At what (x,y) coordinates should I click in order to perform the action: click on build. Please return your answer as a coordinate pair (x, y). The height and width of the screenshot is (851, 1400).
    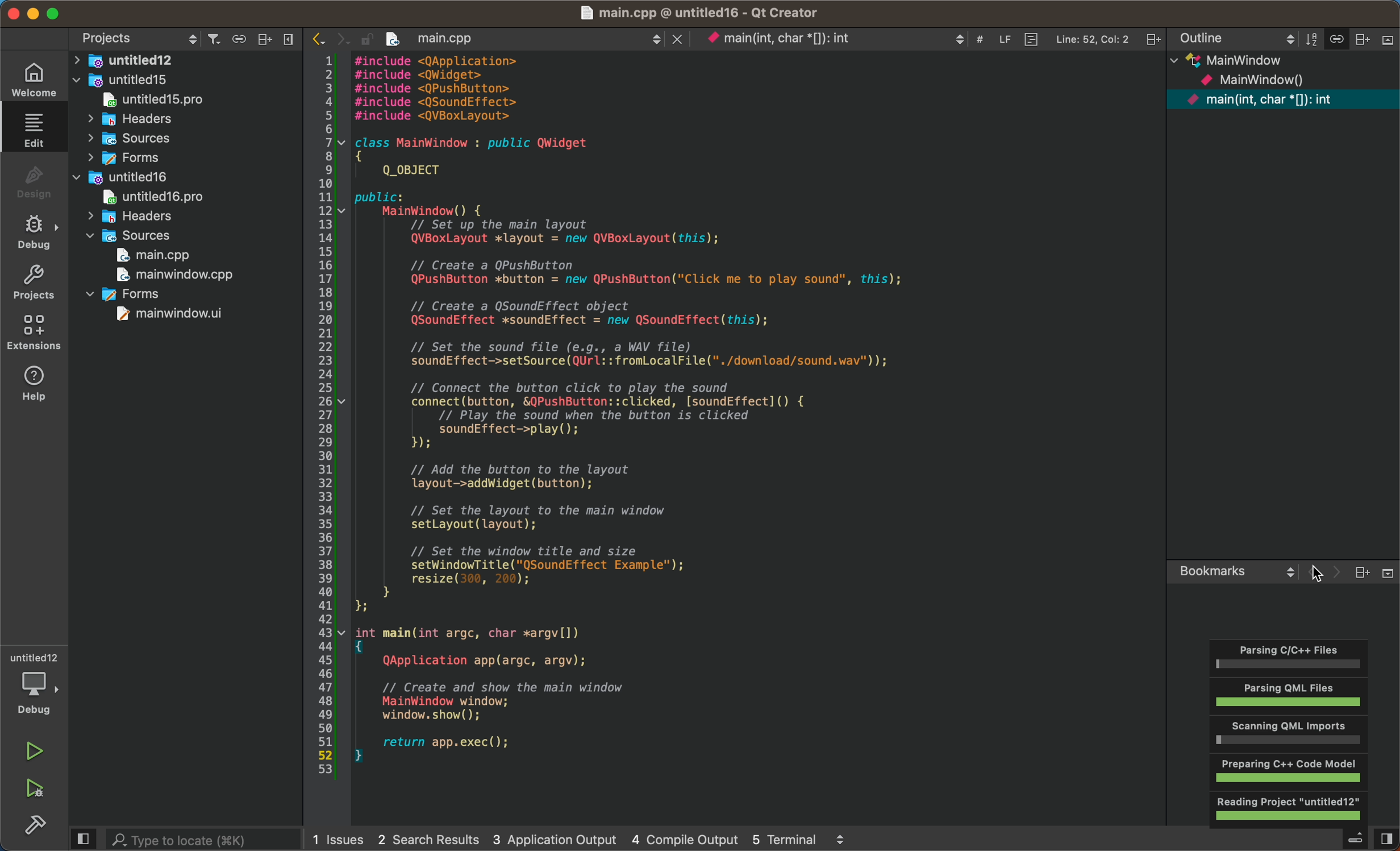
    Looking at the image, I should click on (35, 825).